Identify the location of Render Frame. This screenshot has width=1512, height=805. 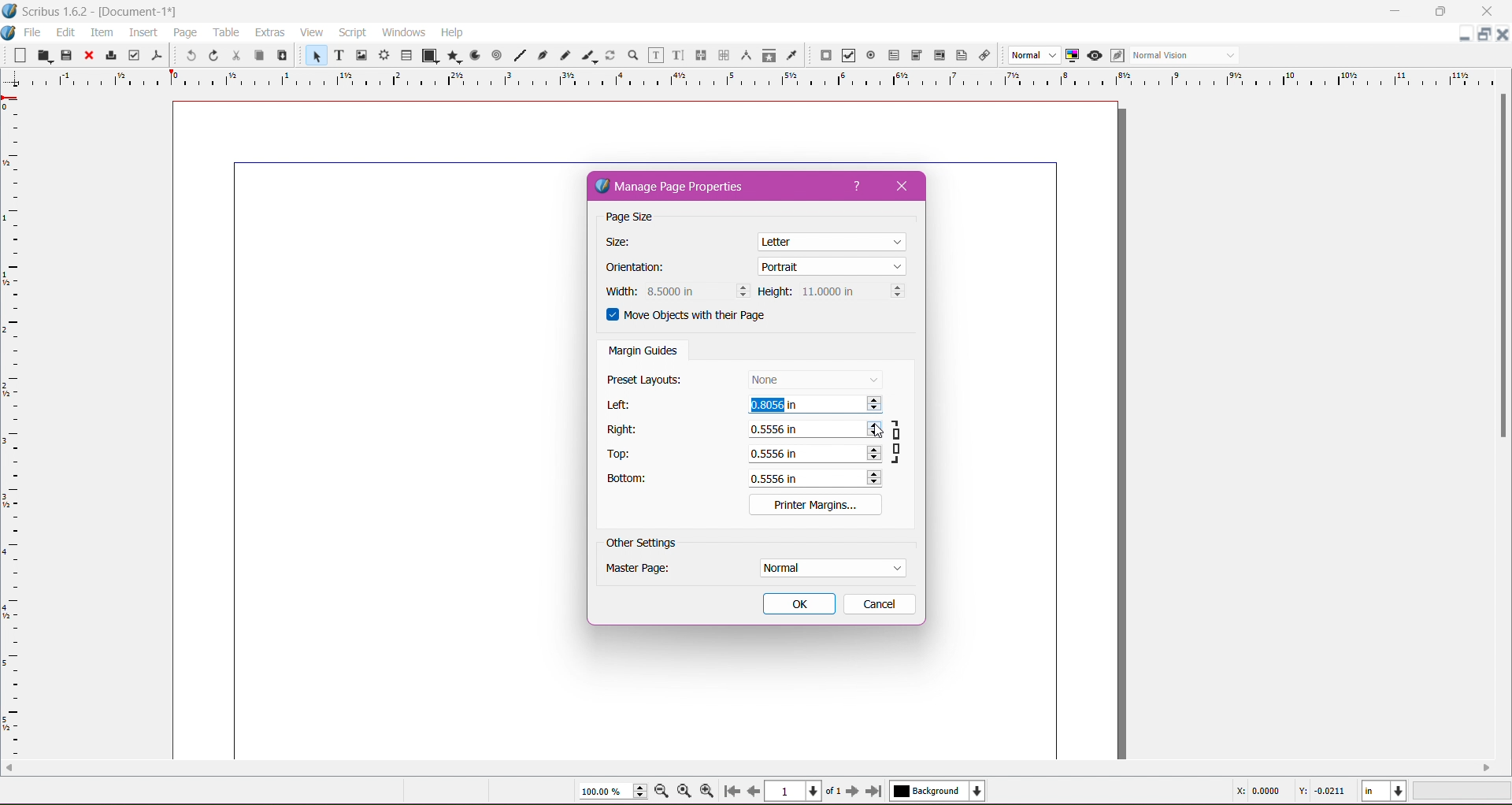
(385, 55).